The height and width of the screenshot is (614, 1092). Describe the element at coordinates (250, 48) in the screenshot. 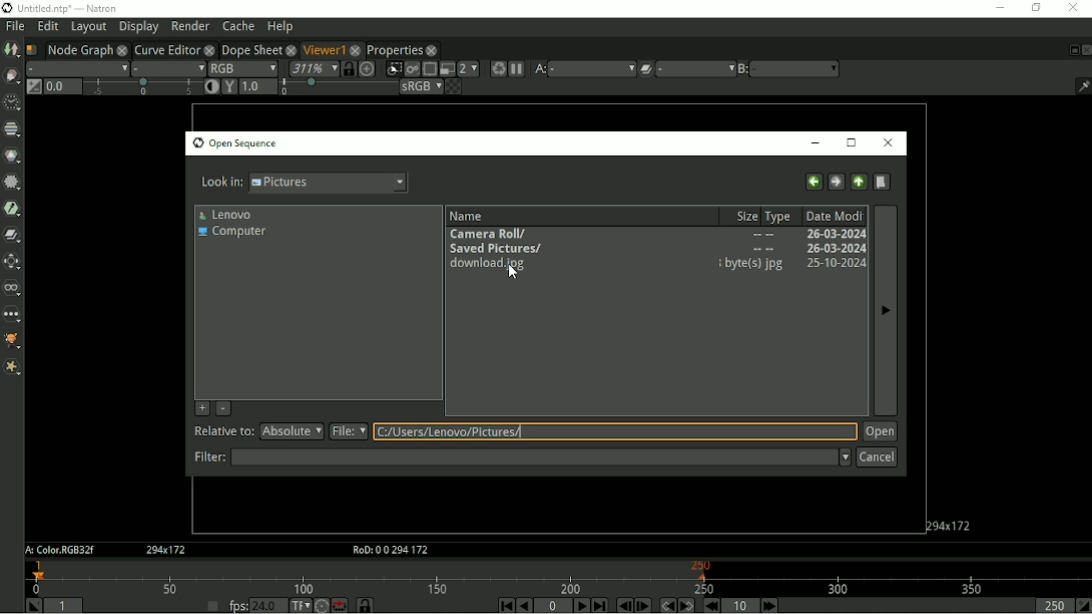

I see `Dope Sheet` at that location.